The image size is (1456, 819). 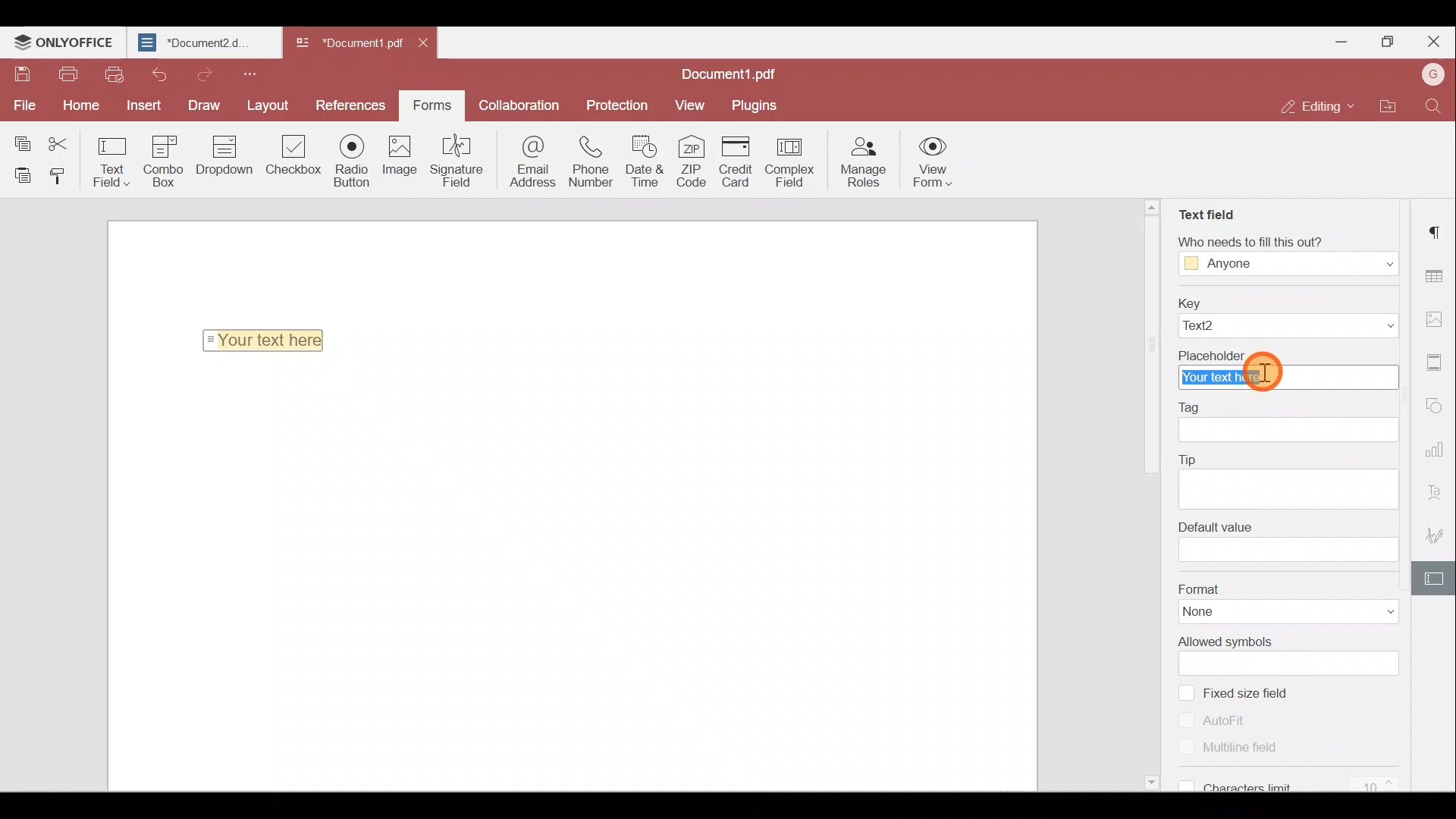 What do you see at coordinates (1183, 783) in the screenshot?
I see `checkbox` at bounding box center [1183, 783].